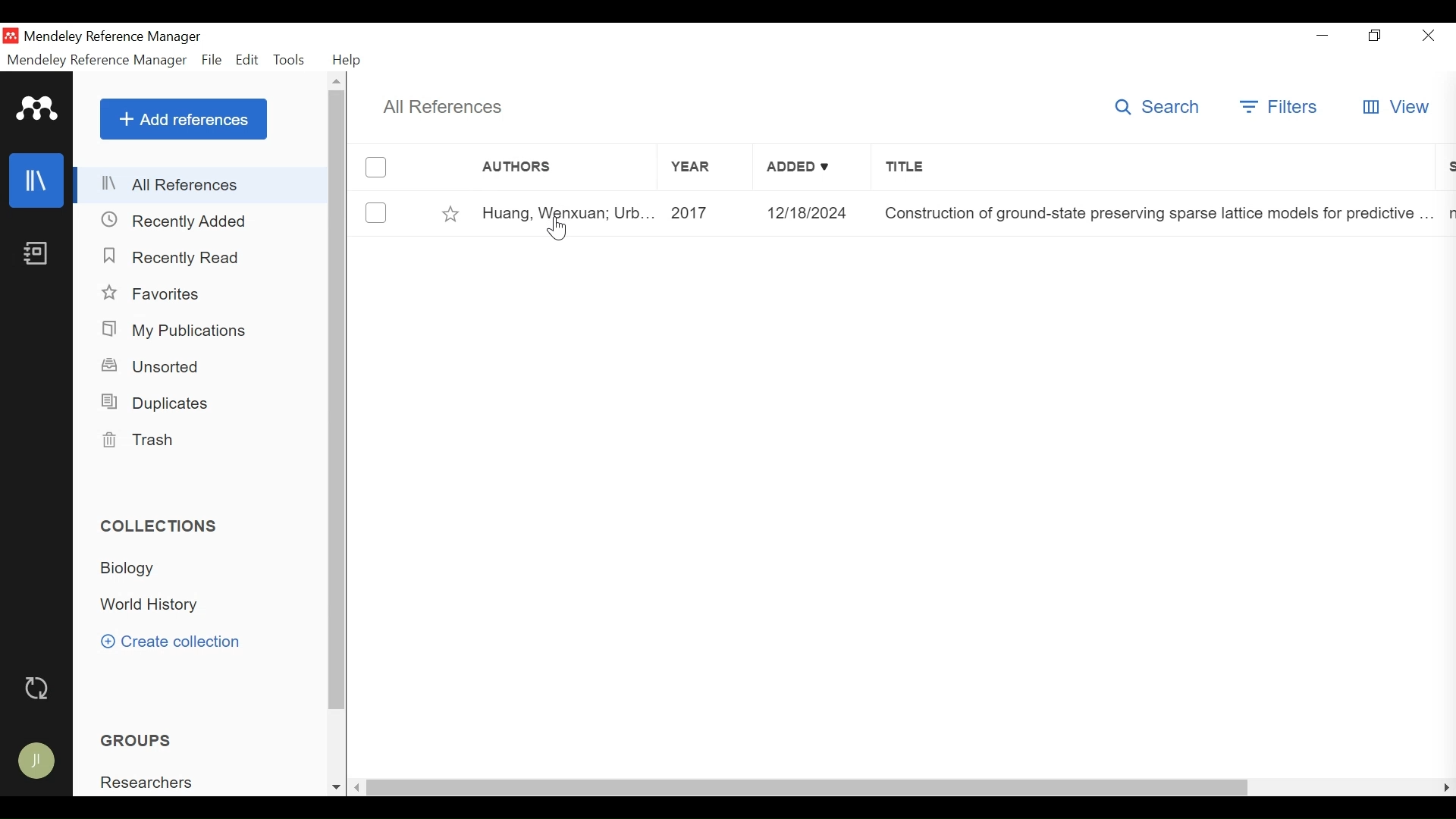 The height and width of the screenshot is (819, 1456). What do you see at coordinates (1373, 36) in the screenshot?
I see `Restore` at bounding box center [1373, 36].